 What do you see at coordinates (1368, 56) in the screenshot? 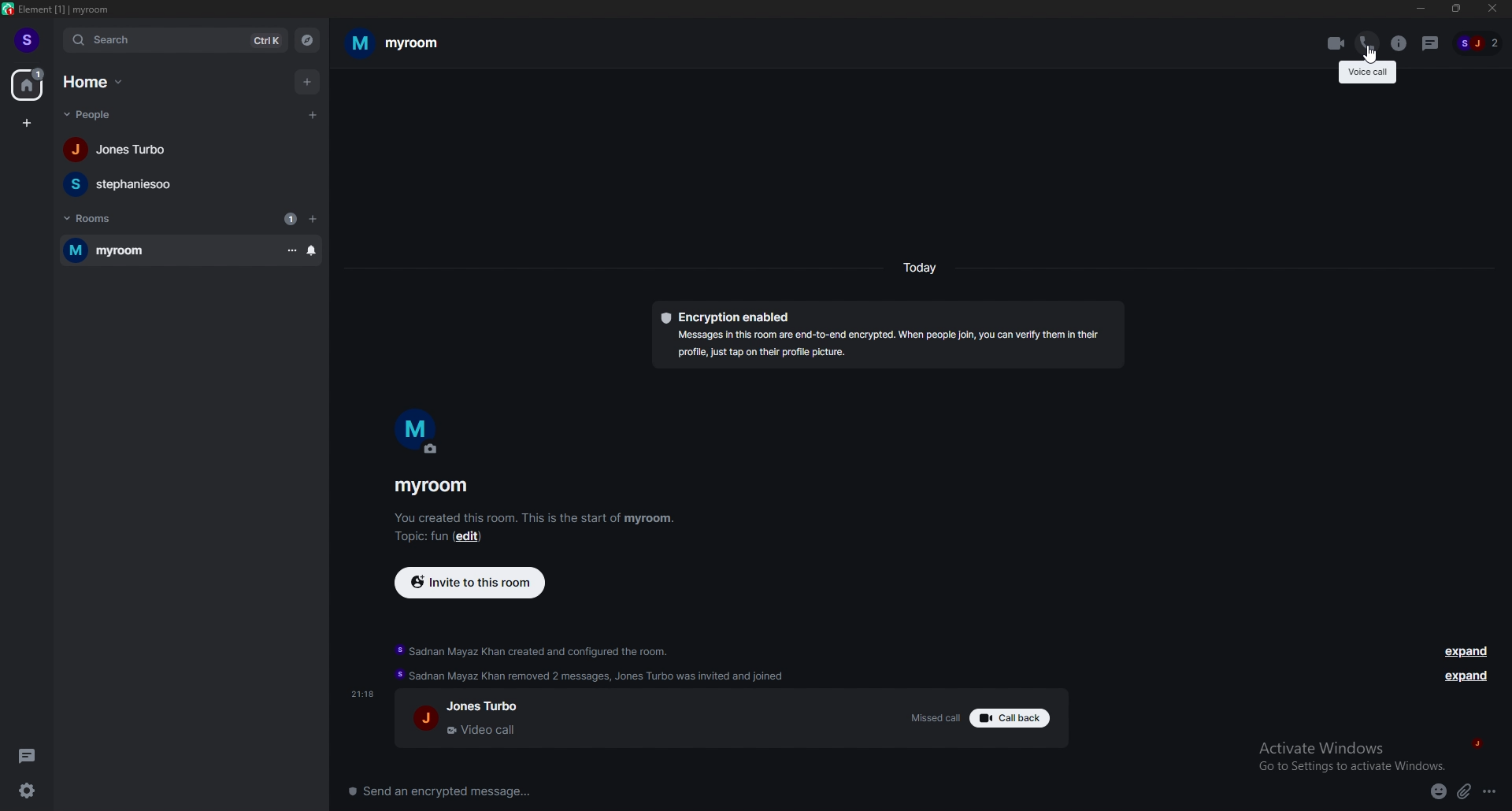
I see `cursor` at bounding box center [1368, 56].